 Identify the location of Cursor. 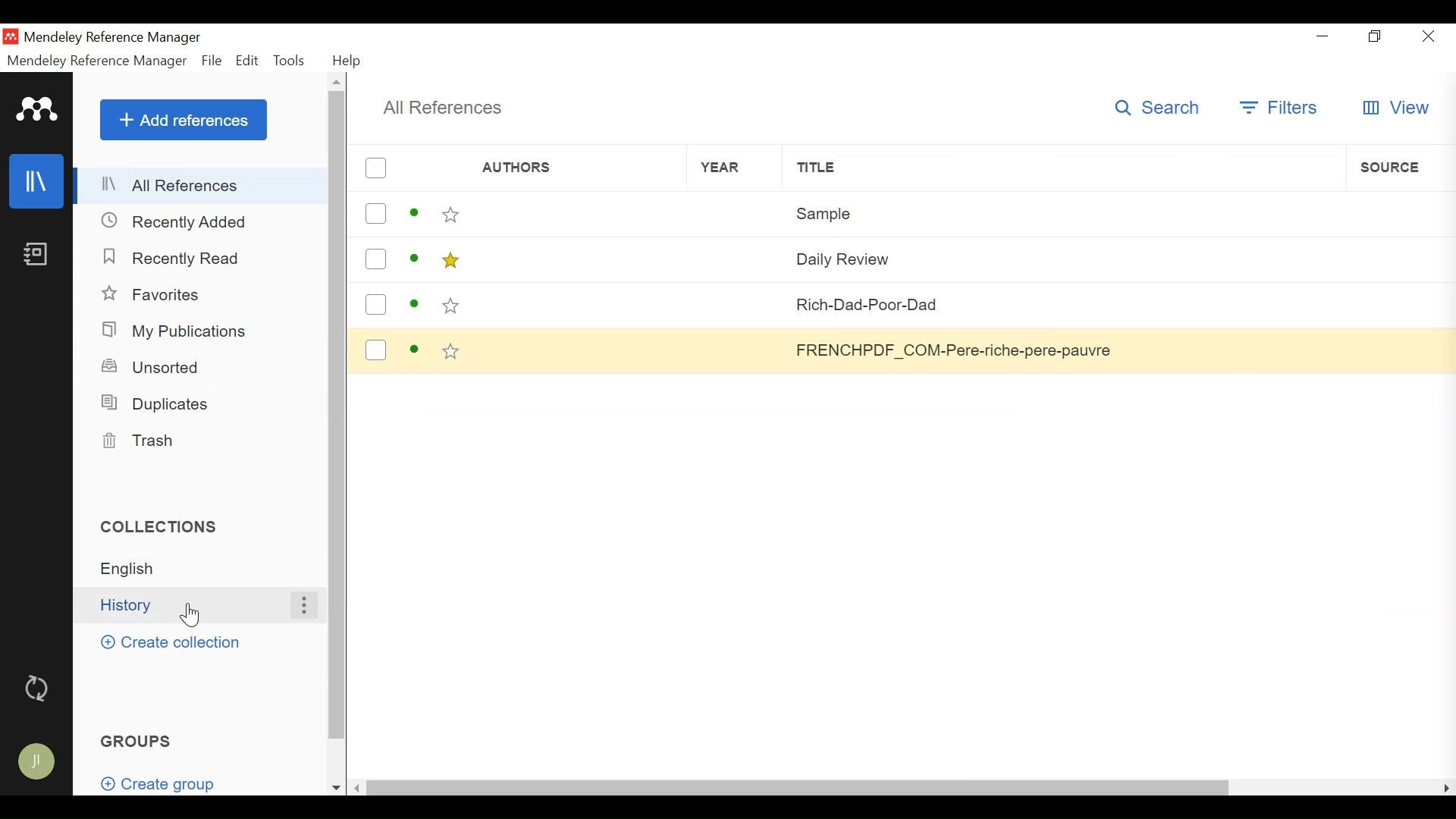
(193, 614).